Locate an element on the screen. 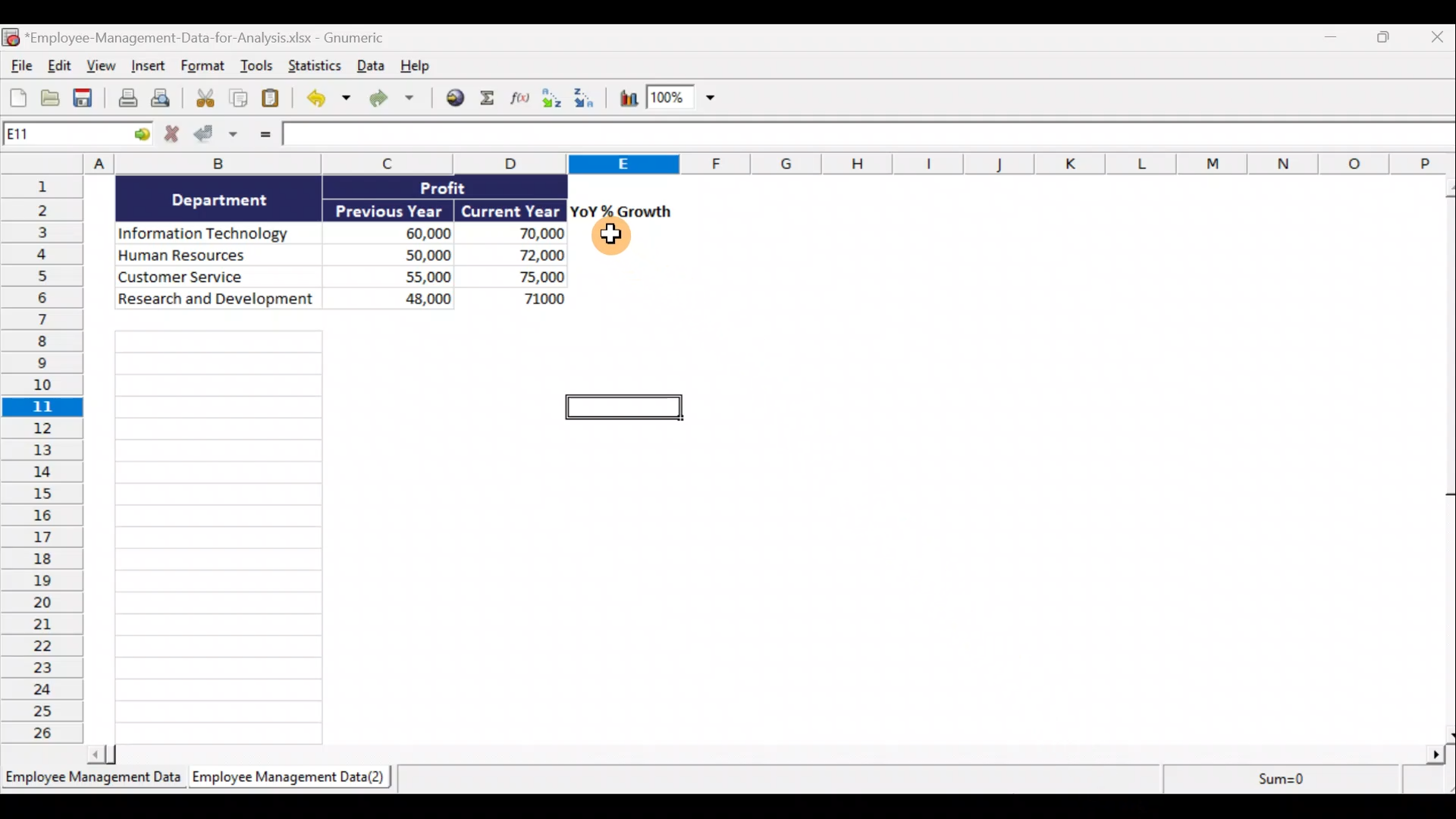 This screenshot has width=1456, height=819. Cells is located at coordinates (220, 537).